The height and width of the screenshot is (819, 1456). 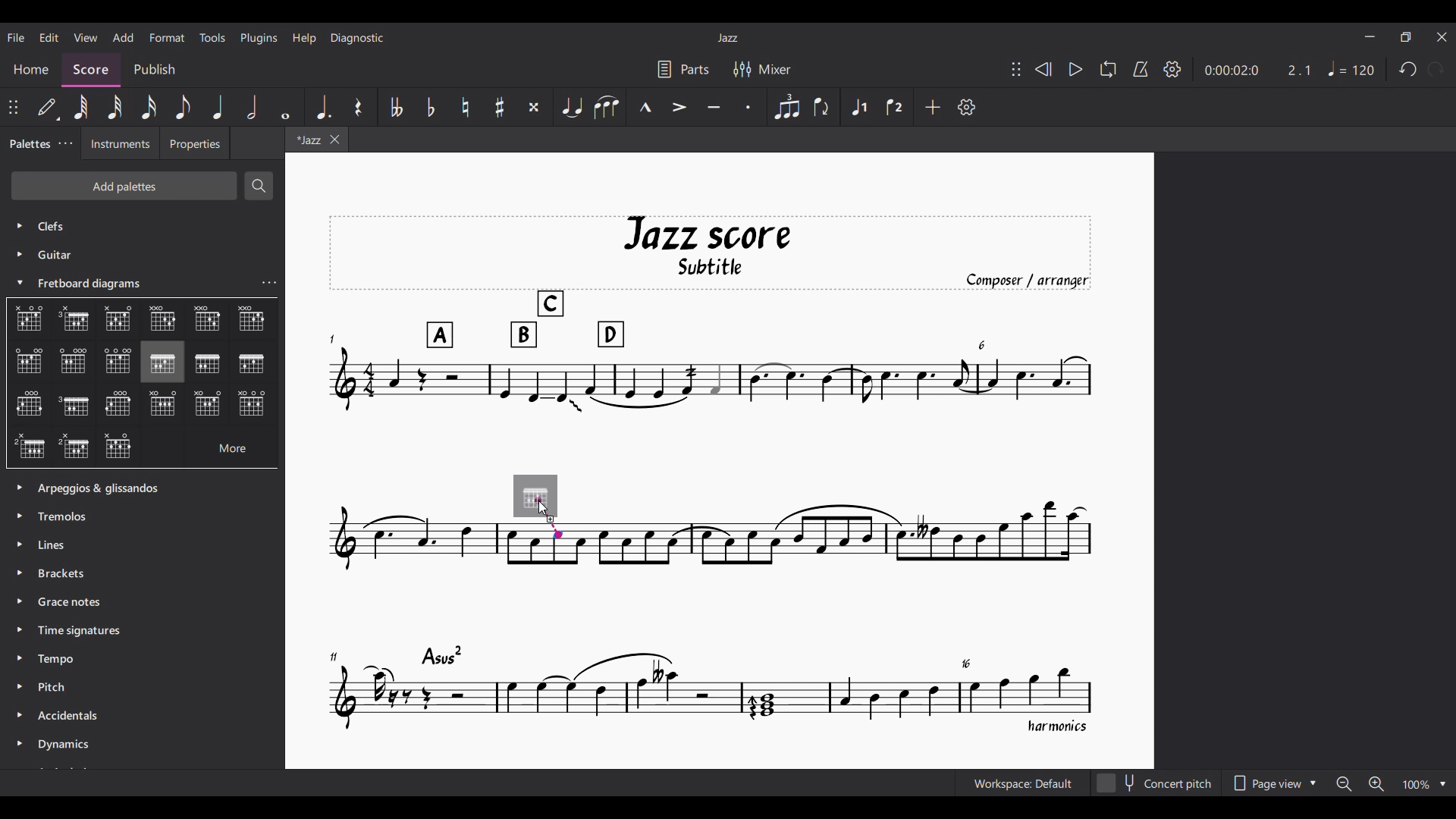 What do you see at coordinates (24, 314) in the screenshot?
I see `Options under current palette selection` at bounding box center [24, 314].